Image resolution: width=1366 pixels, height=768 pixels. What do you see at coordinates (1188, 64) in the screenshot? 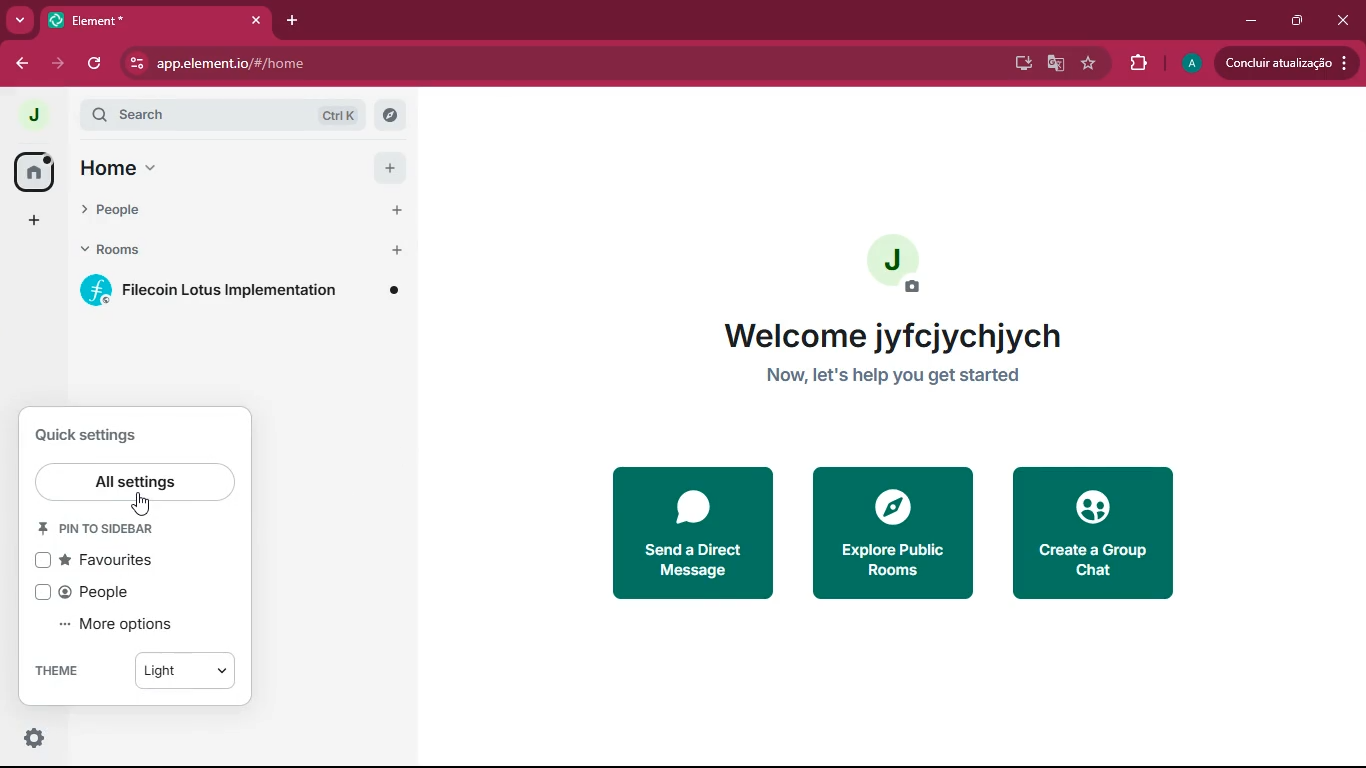
I see `profile` at bounding box center [1188, 64].